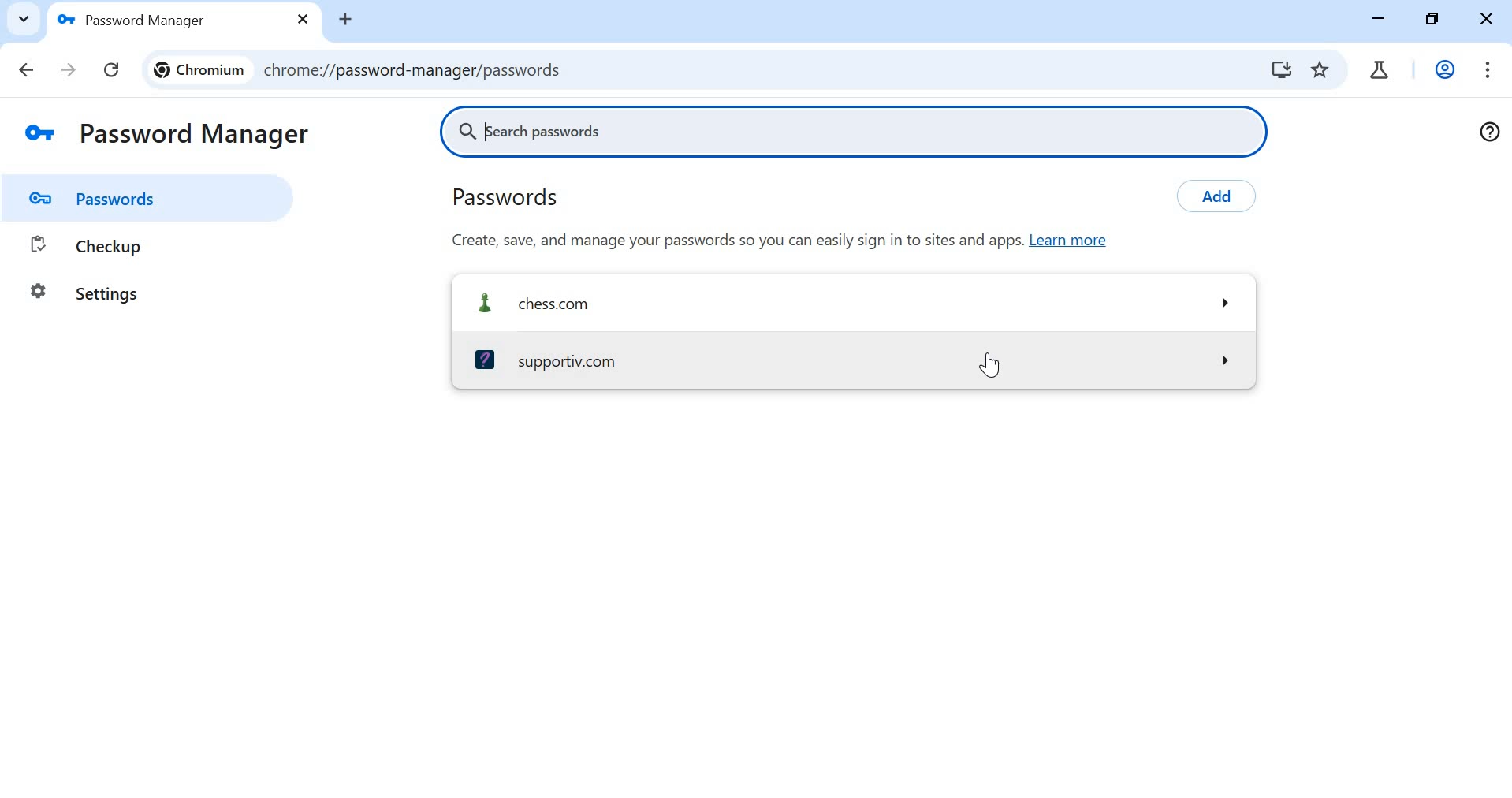 The width and height of the screenshot is (1512, 798). I want to click on install password manager, so click(1283, 71).